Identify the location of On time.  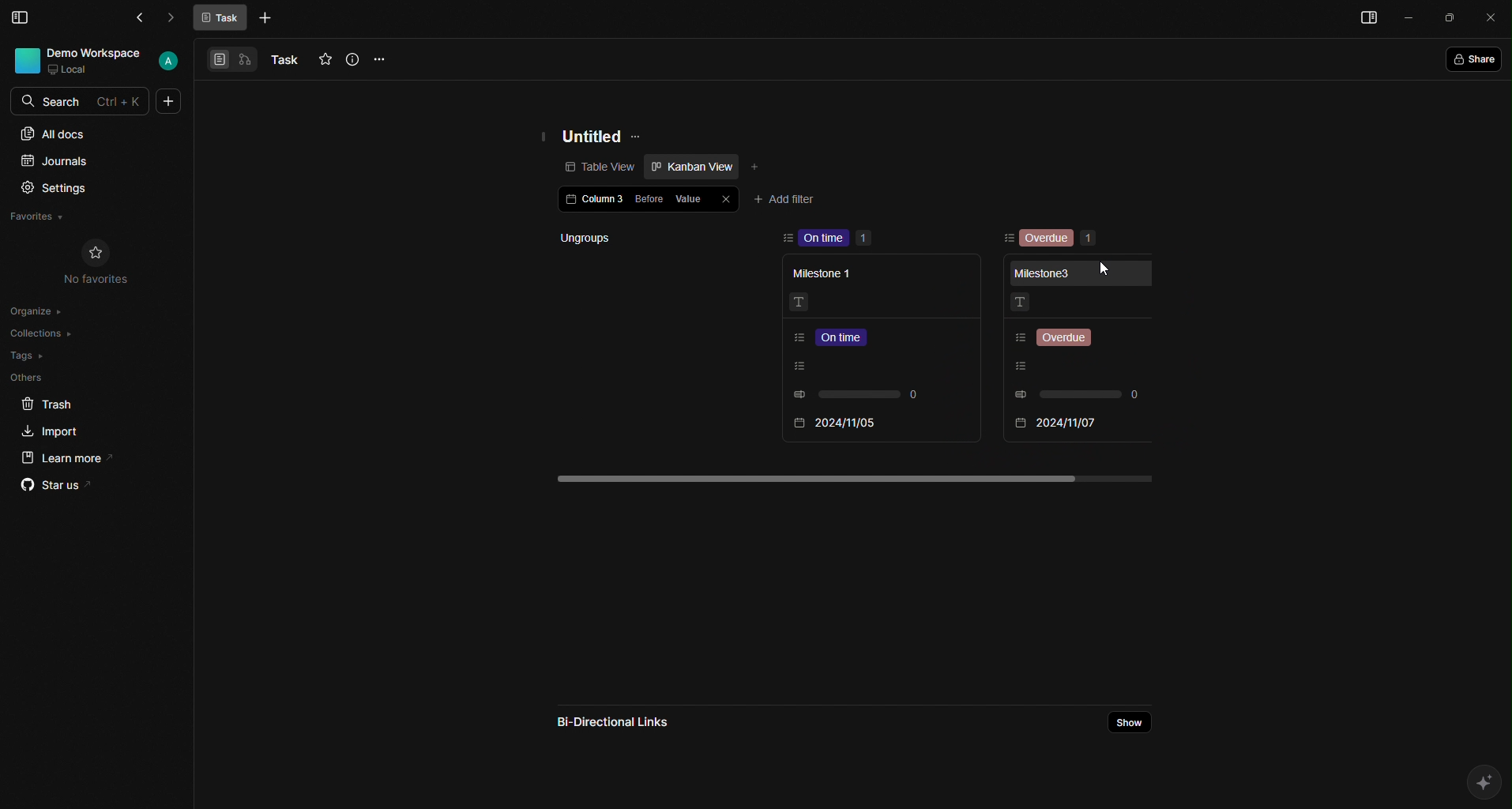
(841, 238).